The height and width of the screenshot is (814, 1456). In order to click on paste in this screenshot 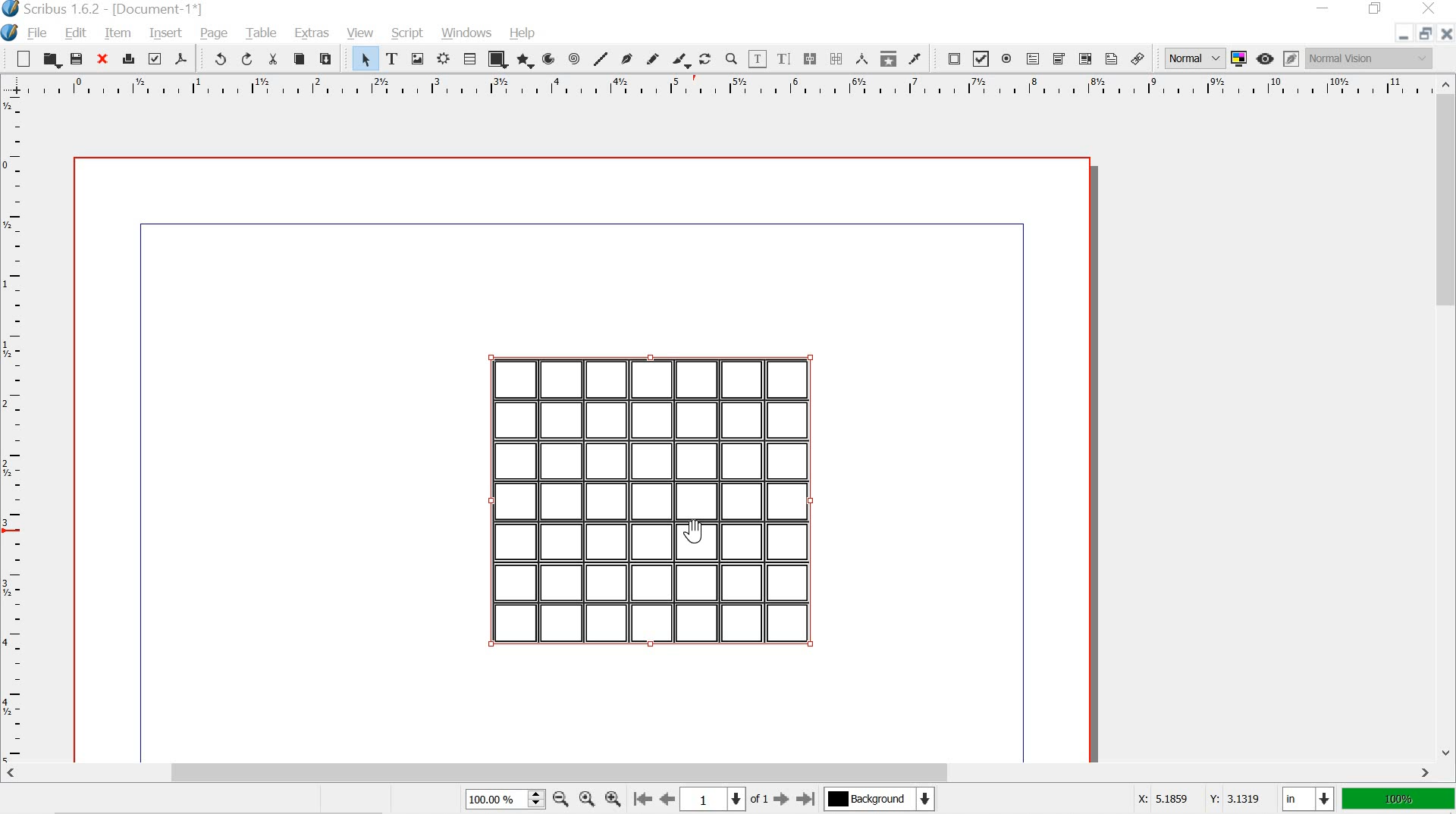, I will do `click(331, 61)`.